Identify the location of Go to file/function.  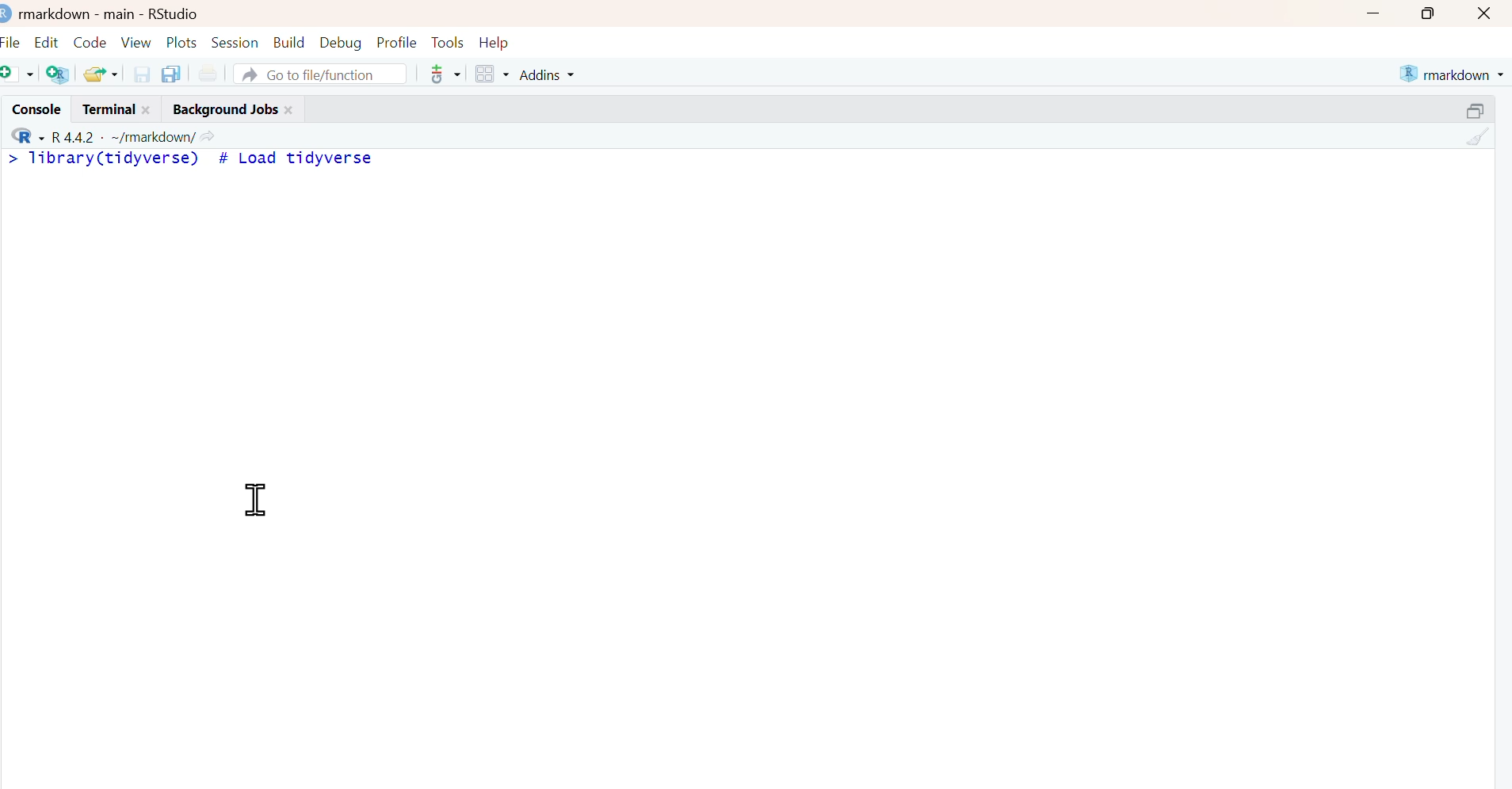
(322, 73).